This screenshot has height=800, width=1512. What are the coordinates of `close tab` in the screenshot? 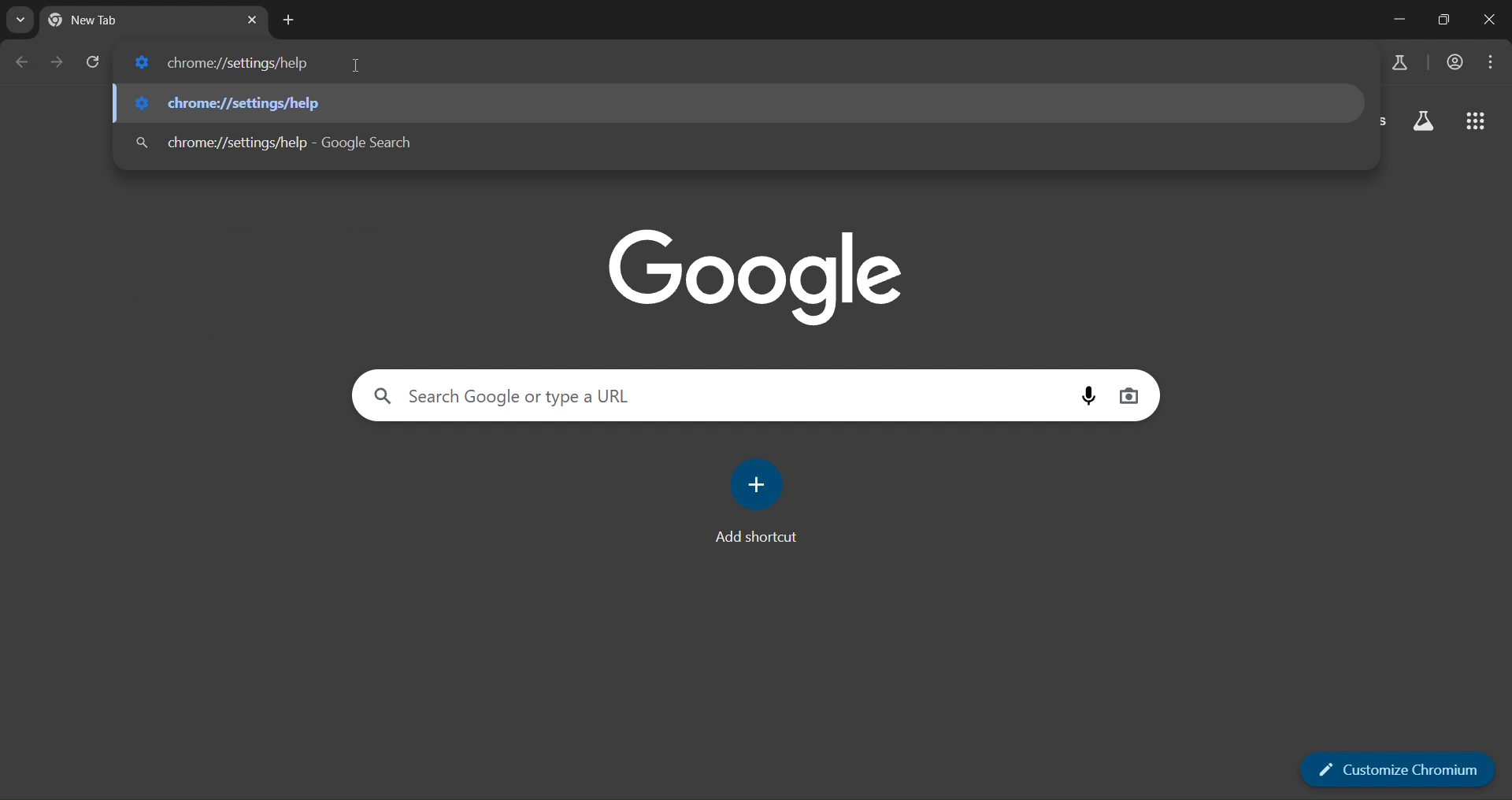 It's located at (251, 20).